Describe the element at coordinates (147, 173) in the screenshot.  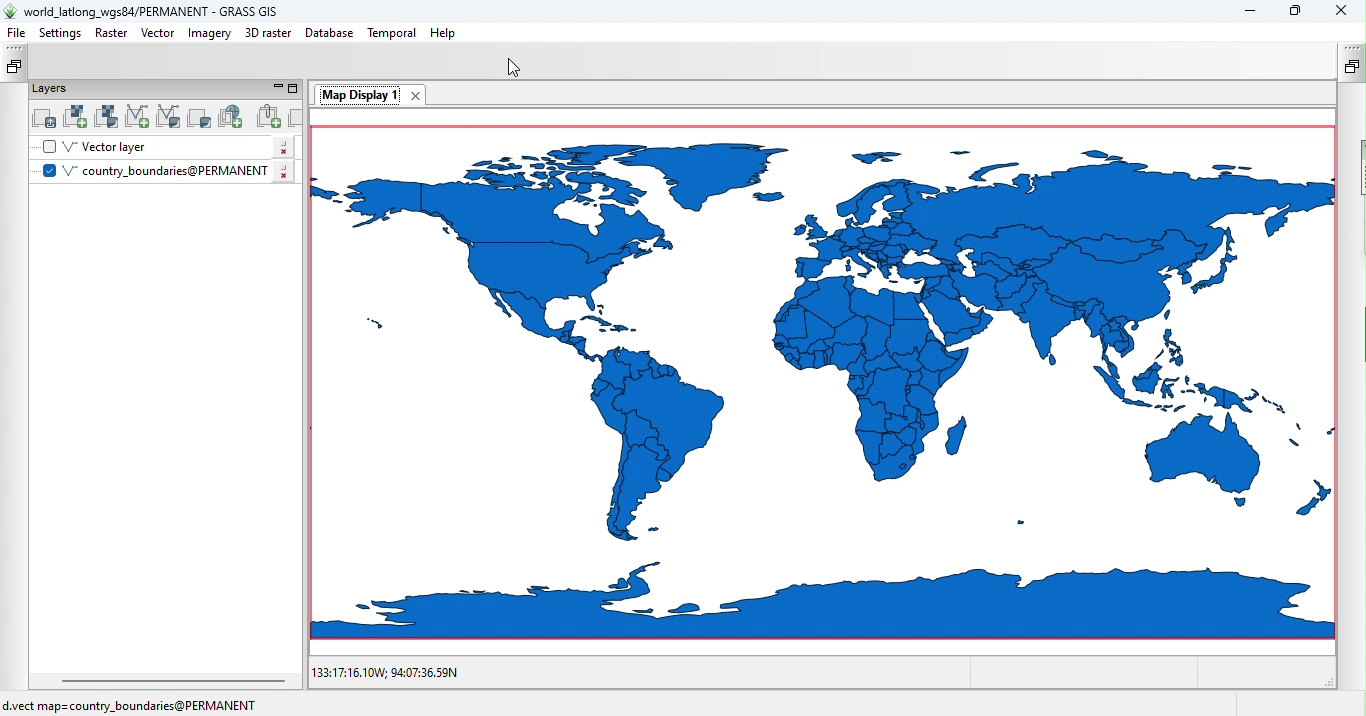
I see `V country_boundaries@PERMANENT` at that location.